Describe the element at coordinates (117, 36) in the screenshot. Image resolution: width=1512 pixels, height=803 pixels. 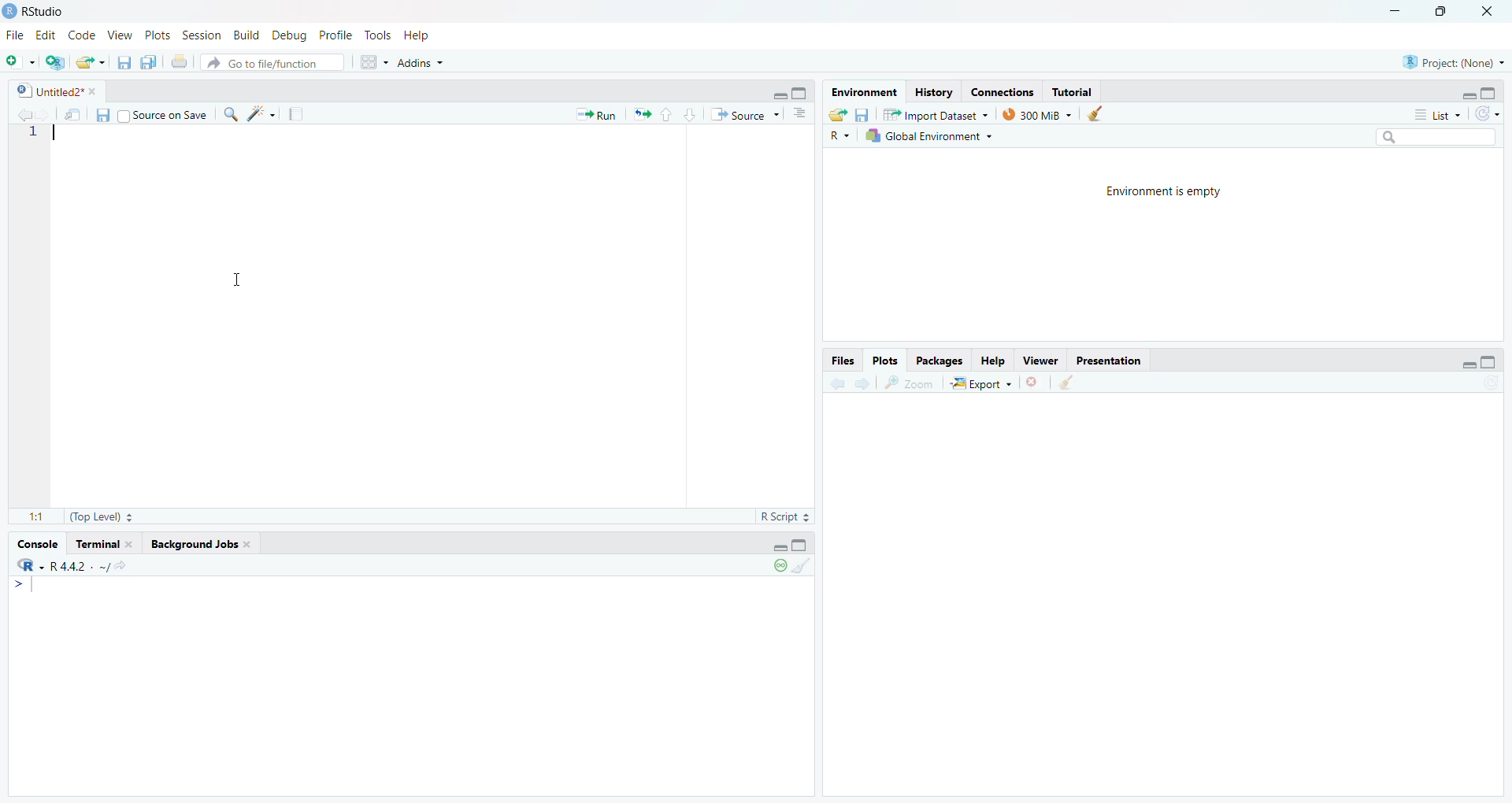
I see `View` at that location.